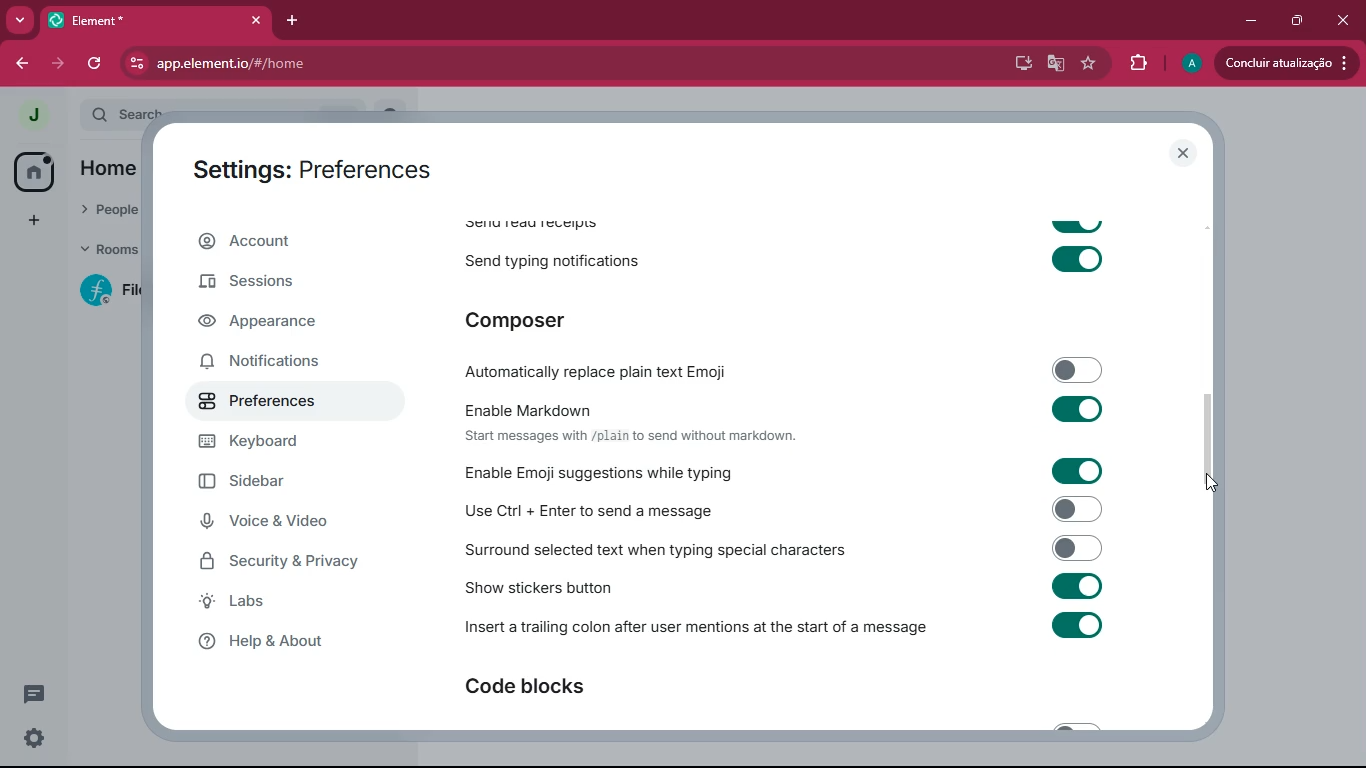 The height and width of the screenshot is (768, 1366). What do you see at coordinates (30, 739) in the screenshot?
I see `settings` at bounding box center [30, 739].